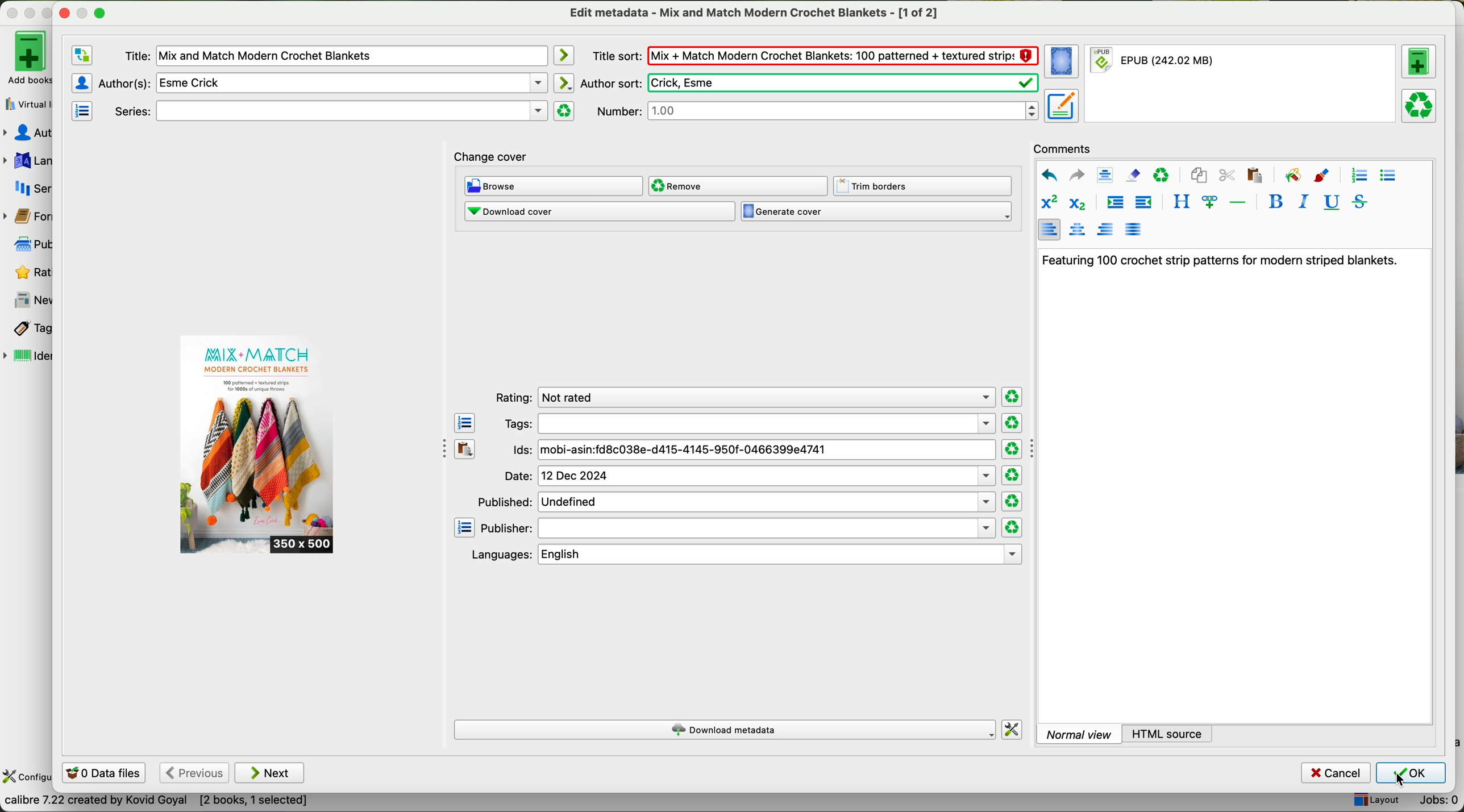  Describe the element at coordinates (1199, 176) in the screenshot. I see `copy` at that location.